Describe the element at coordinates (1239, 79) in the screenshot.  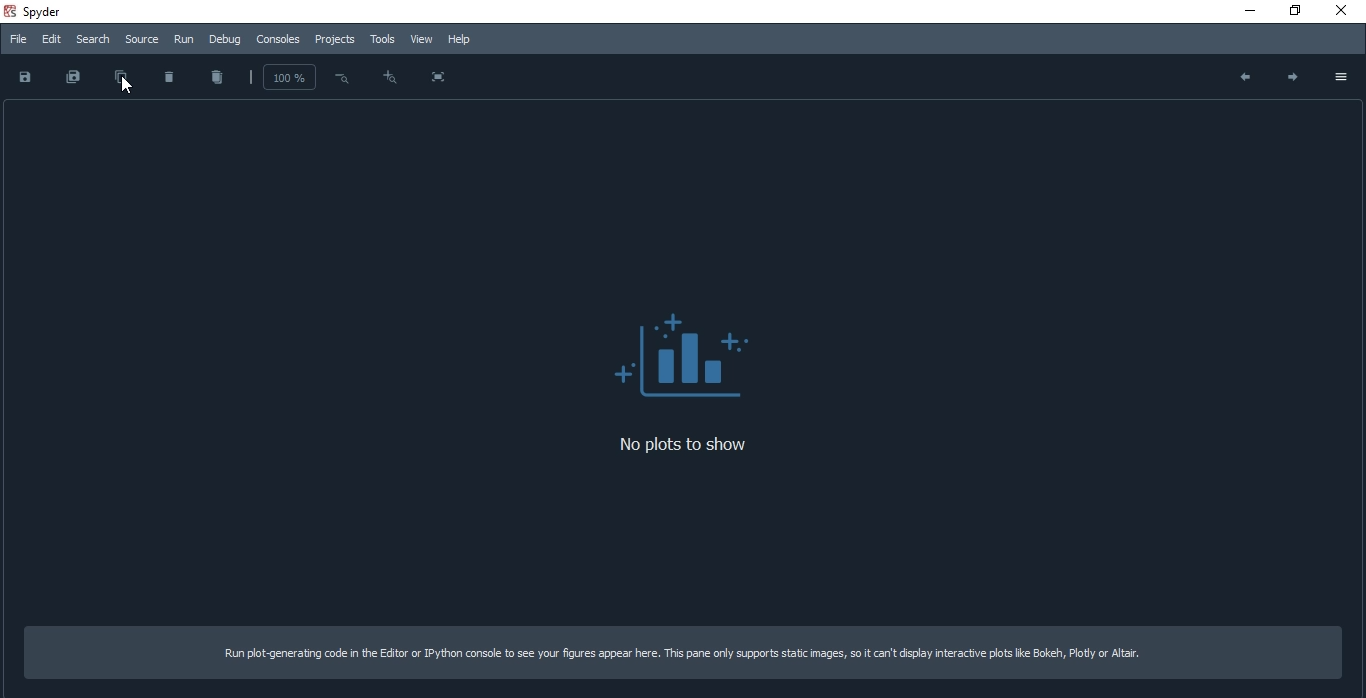
I see `previous plot` at that location.